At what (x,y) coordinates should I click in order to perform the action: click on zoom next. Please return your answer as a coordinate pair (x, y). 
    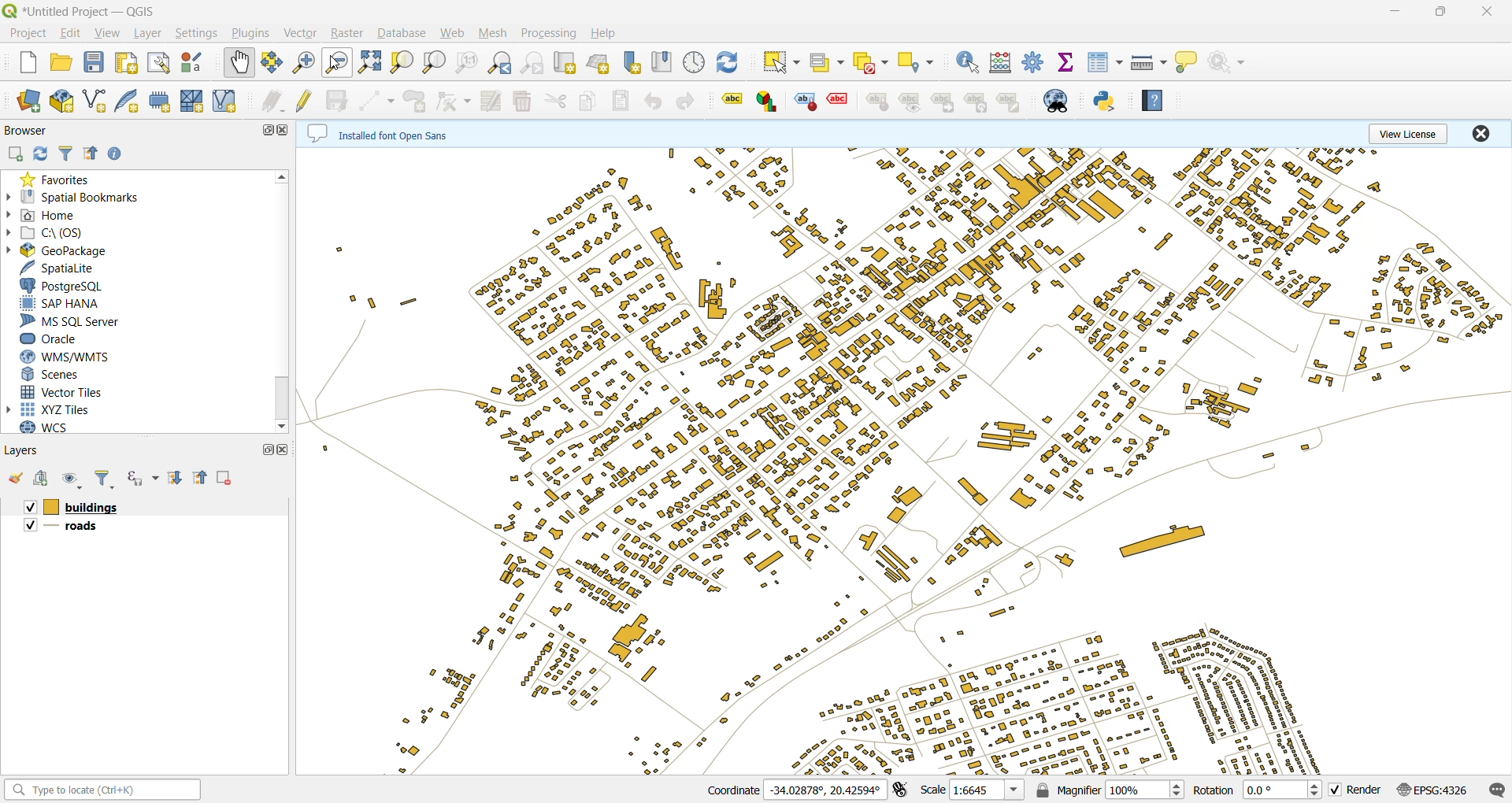
    Looking at the image, I should click on (535, 64).